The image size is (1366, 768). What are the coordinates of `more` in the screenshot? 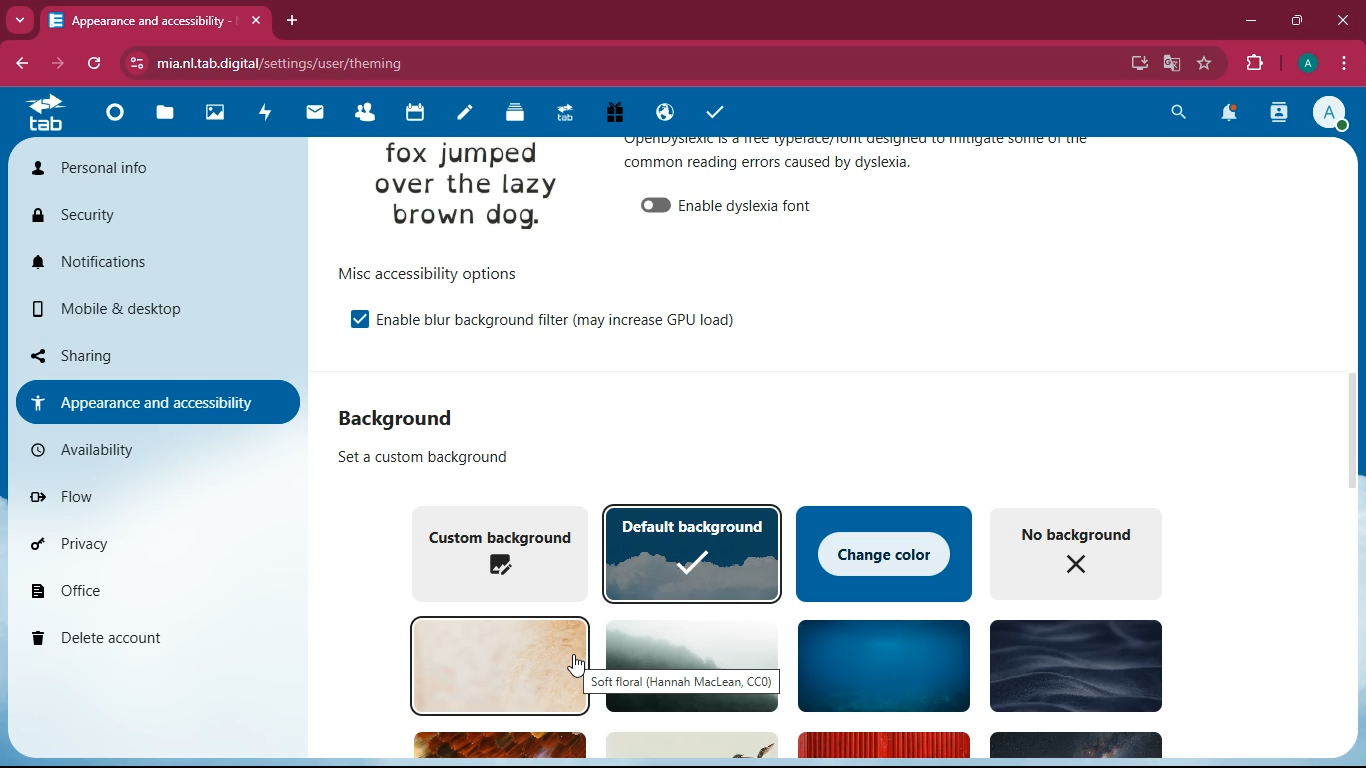 It's located at (20, 20).